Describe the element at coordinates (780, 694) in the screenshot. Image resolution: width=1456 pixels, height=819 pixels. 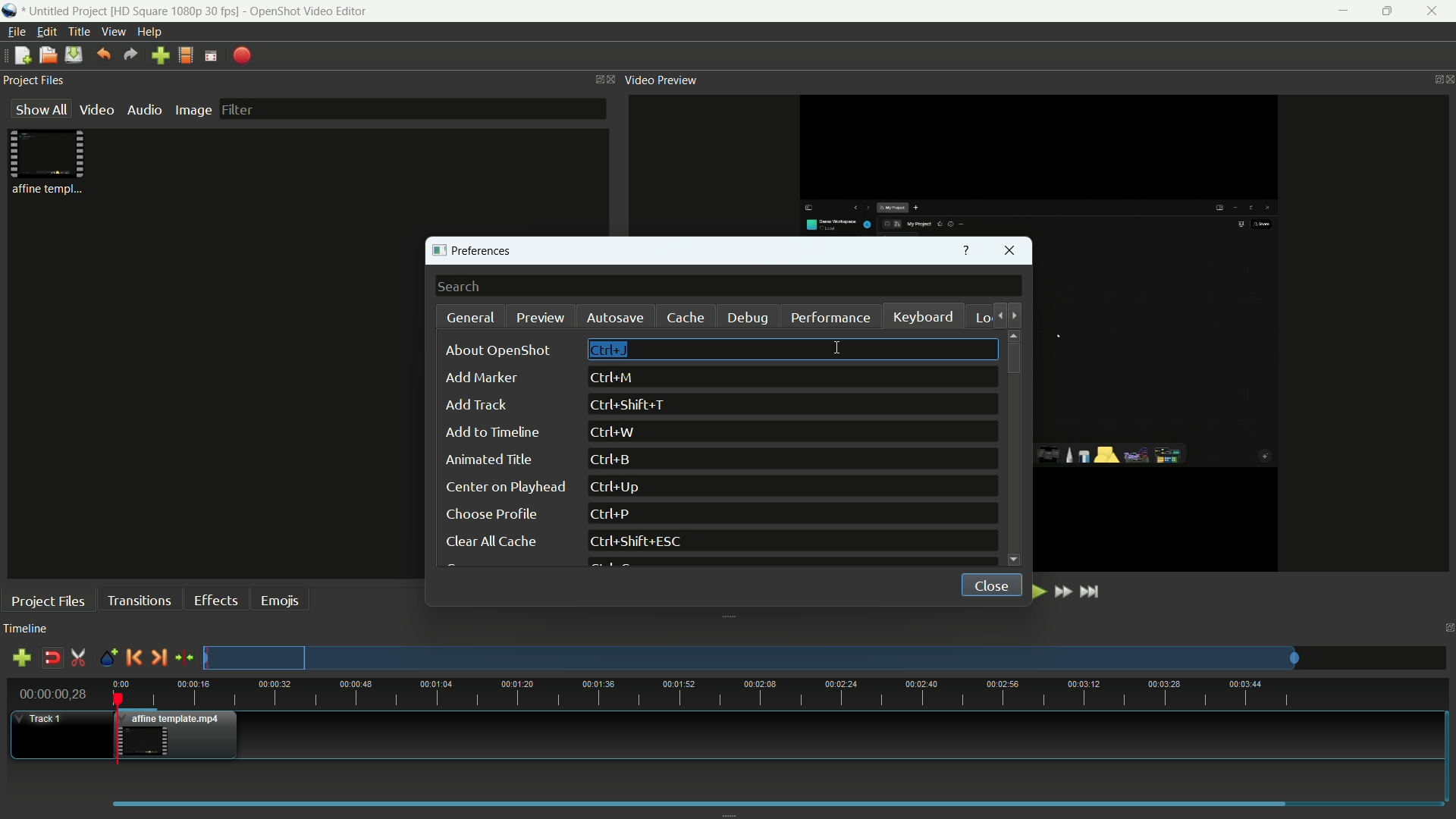
I see `time` at that location.